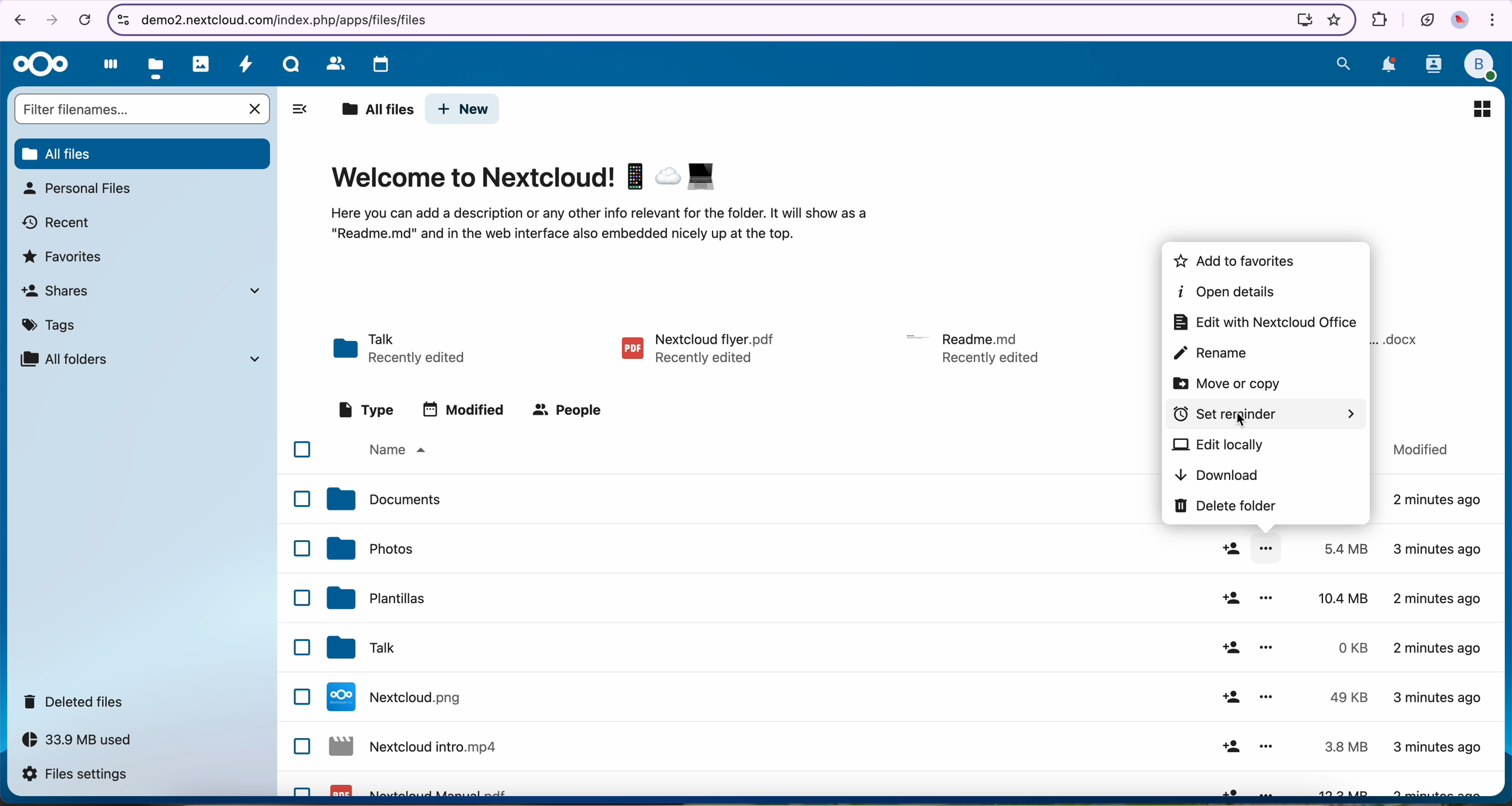 The height and width of the screenshot is (806, 1512). What do you see at coordinates (697, 346) in the screenshot?
I see `pdf file` at bounding box center [697, 346].